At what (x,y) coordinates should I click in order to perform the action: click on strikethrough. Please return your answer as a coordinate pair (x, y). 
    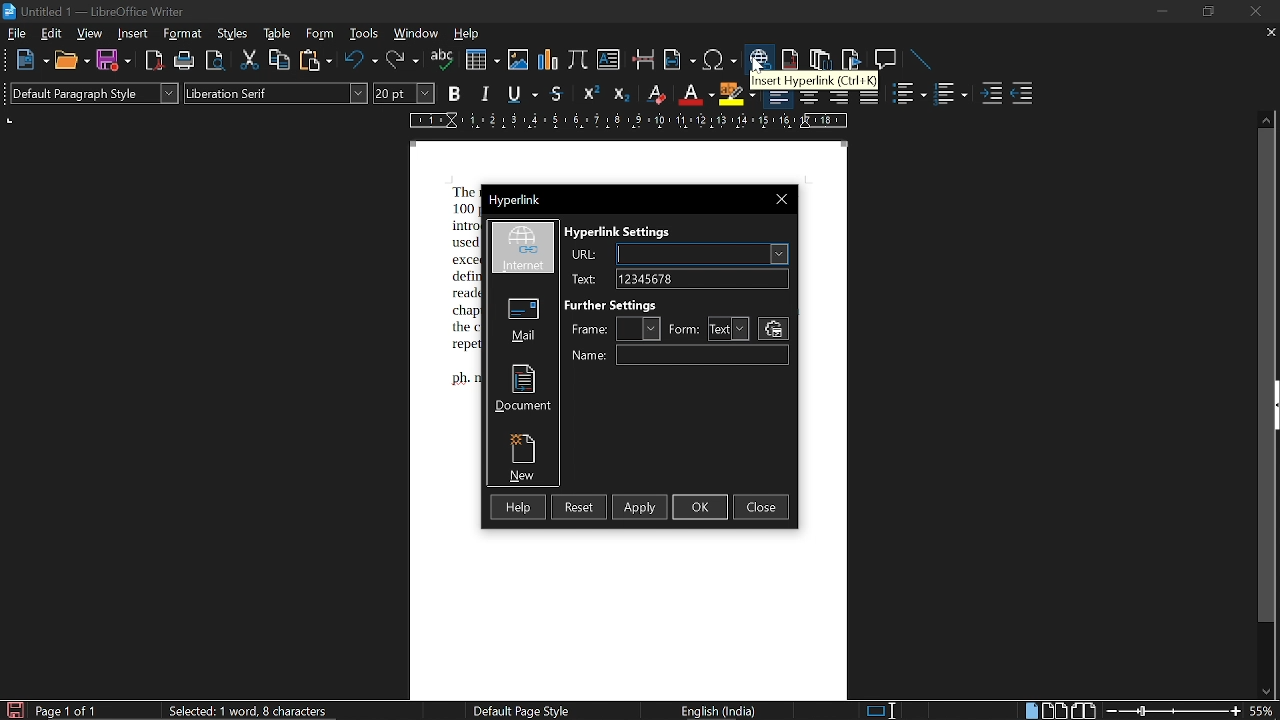
    Looking at the image, I should click on (556, 94).